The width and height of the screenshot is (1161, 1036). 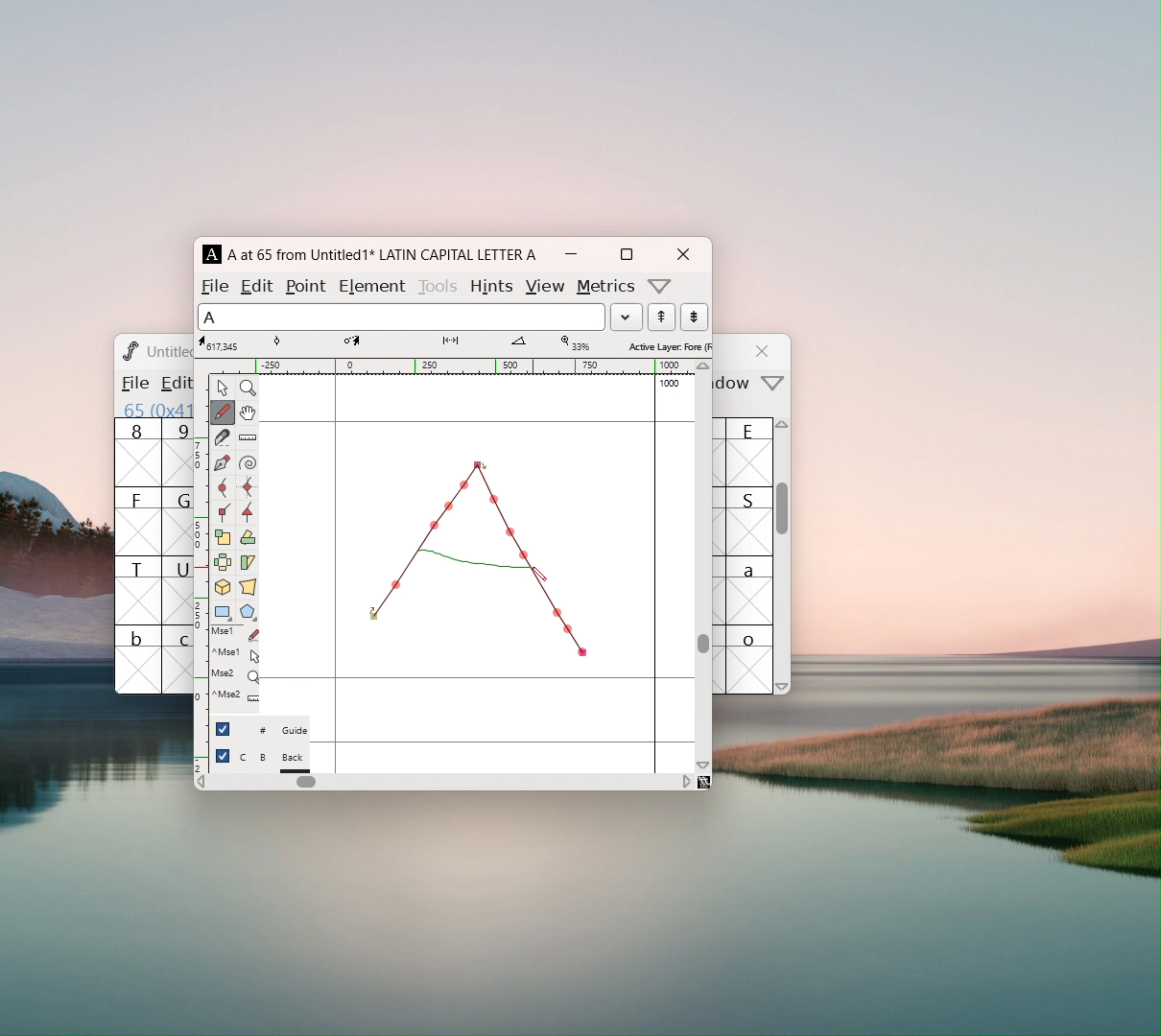 What do you see at coordinates (379, 254) in the screenshot?
I see `A at 65 from Untitled1 LATIN CAPITAL LETTER A` at bounding box center [379, 254].